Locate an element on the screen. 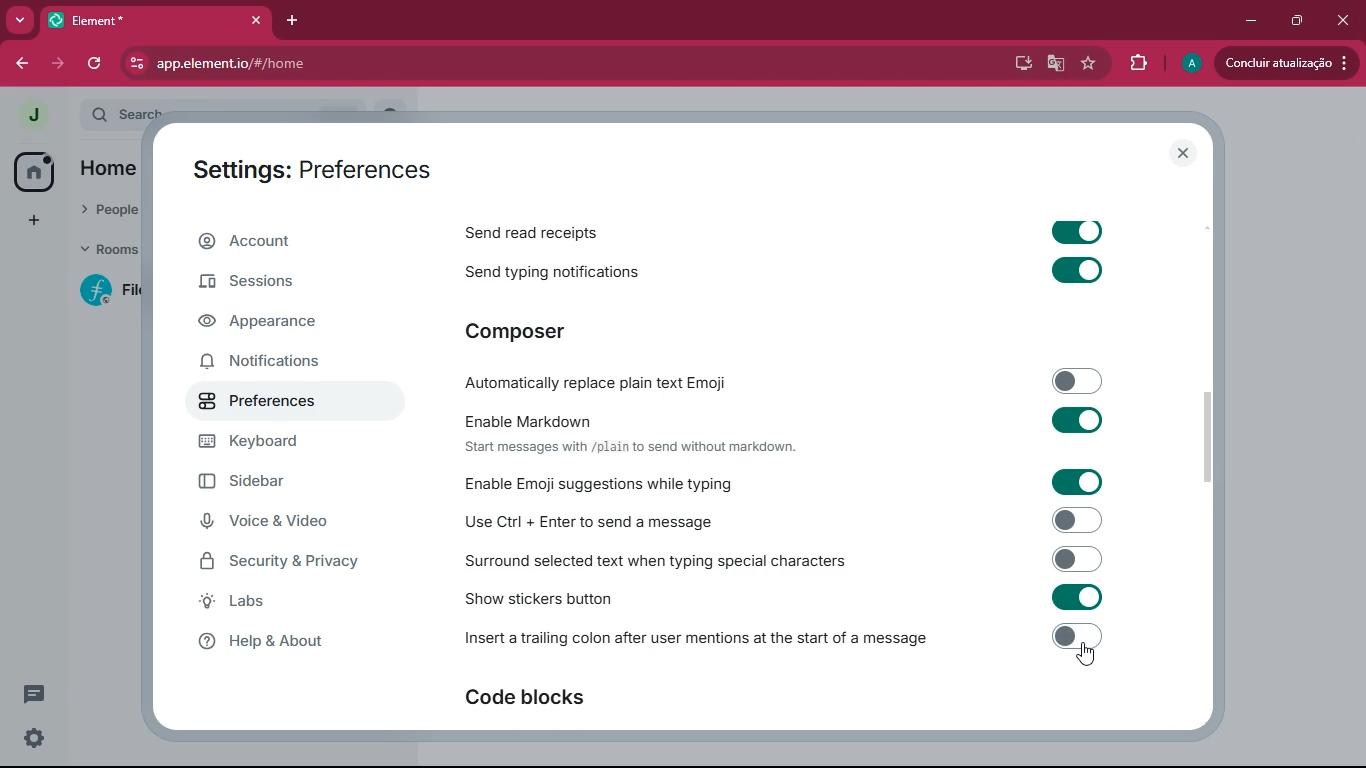  desktop is located at coordinates (1022, 65).